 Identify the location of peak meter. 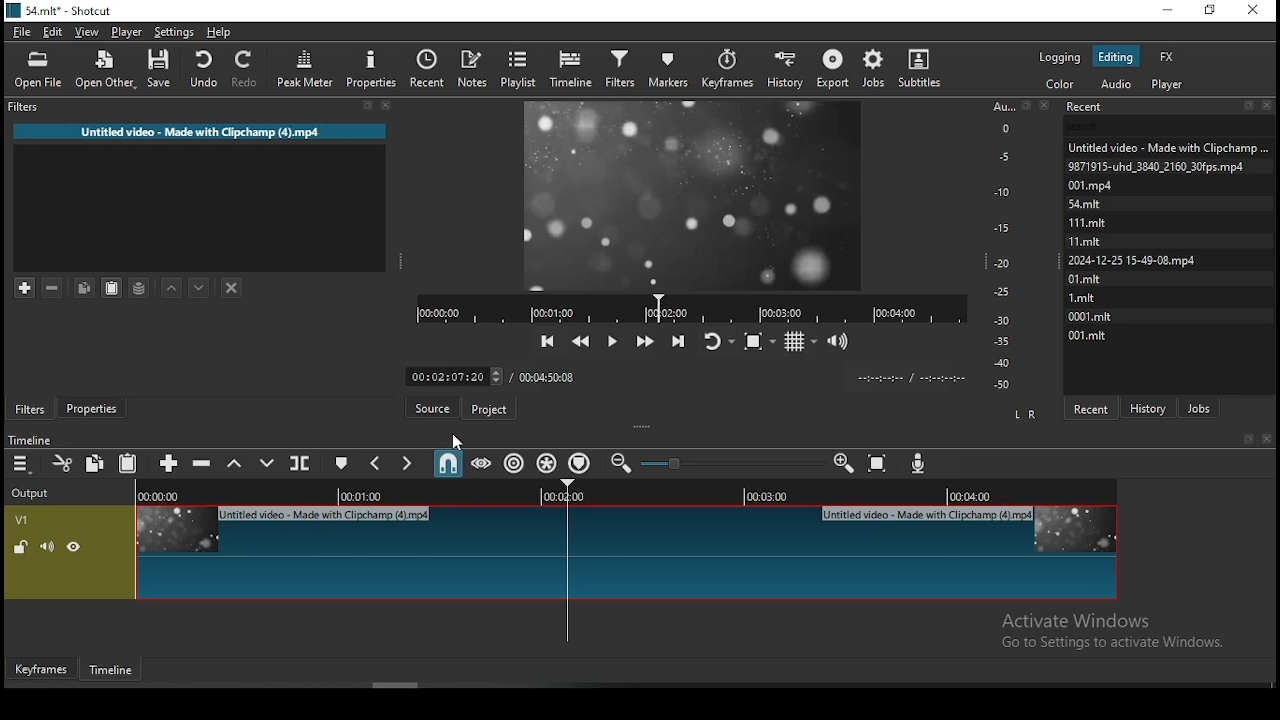
(304, 70).